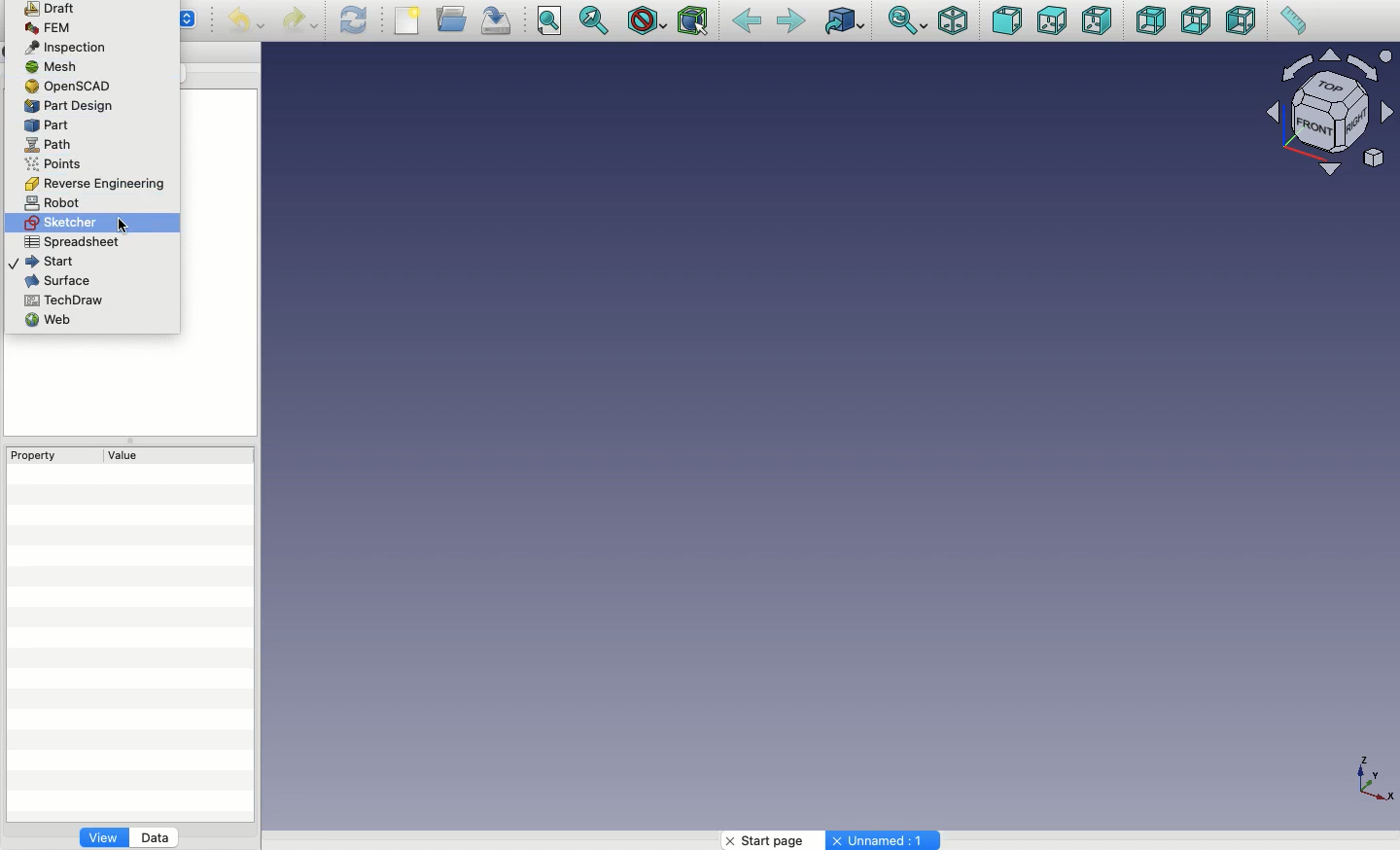 The image size is (1400, 850). I want to click on Axis, so click(1374, 780).